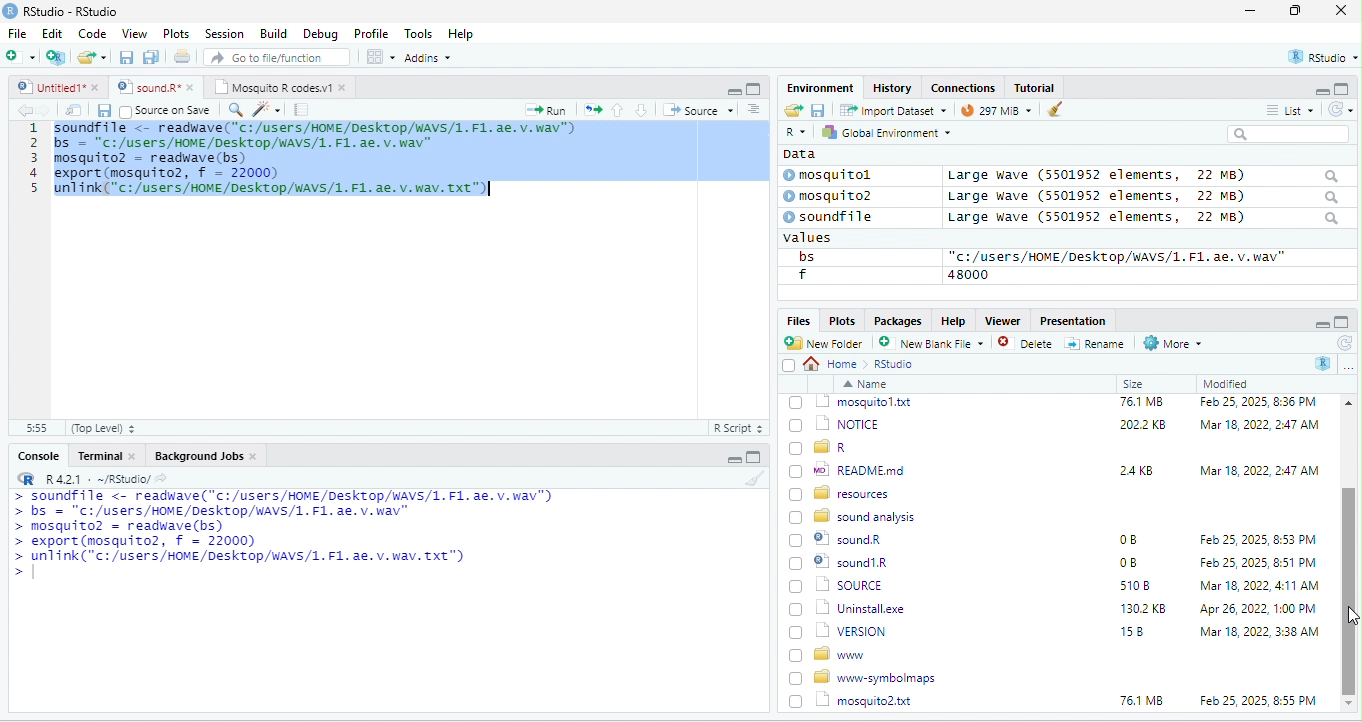 The width and height of the screenshot is (1362, 722). Describe the element at coordinates (1343, 343) in the screenshot. I see `refresh` at that location.